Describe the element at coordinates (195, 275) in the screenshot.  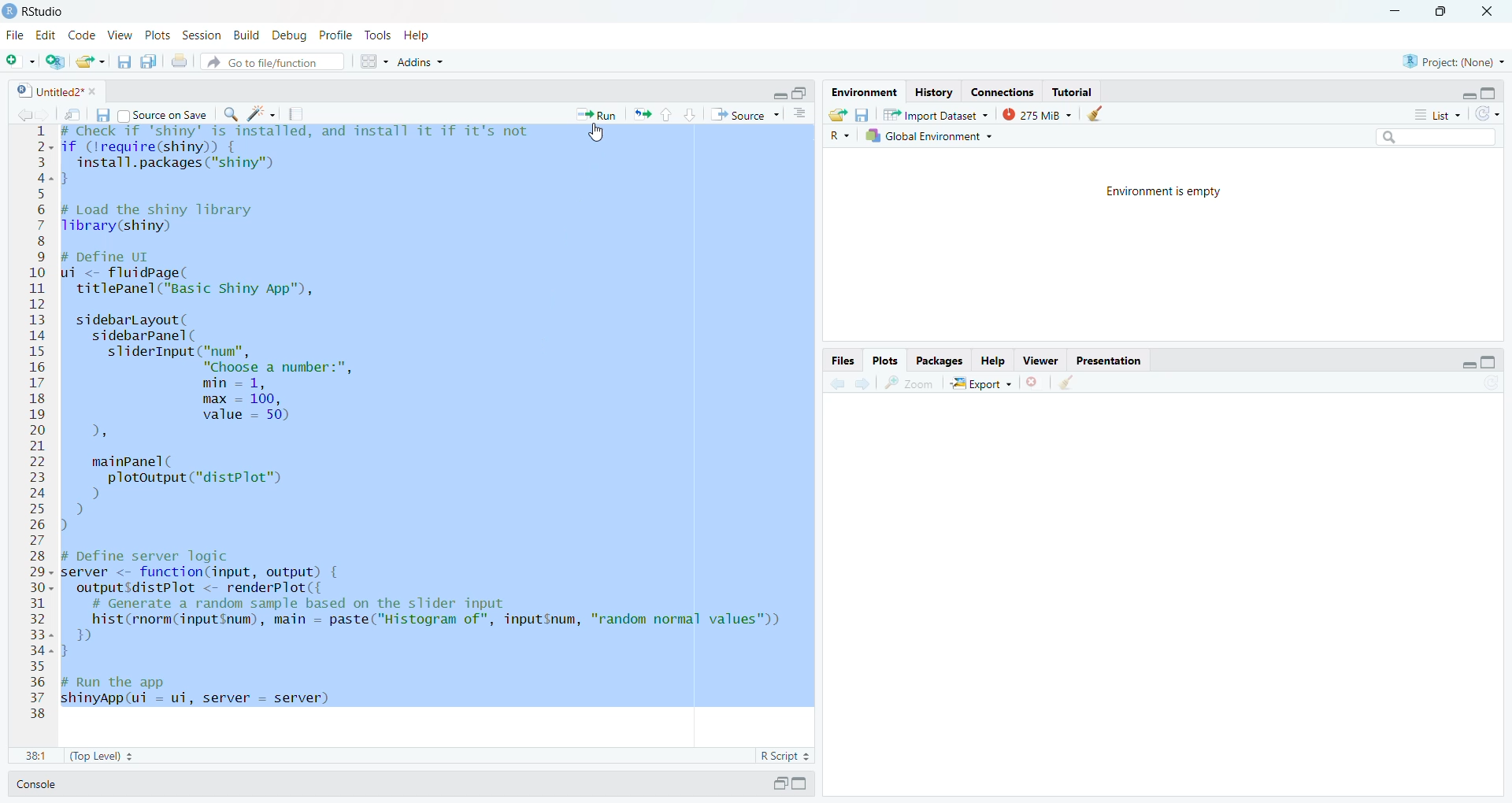
I see `# Define UI ui <- fluidpage(titlePanel ("Basic Shiny App"),` at that location.